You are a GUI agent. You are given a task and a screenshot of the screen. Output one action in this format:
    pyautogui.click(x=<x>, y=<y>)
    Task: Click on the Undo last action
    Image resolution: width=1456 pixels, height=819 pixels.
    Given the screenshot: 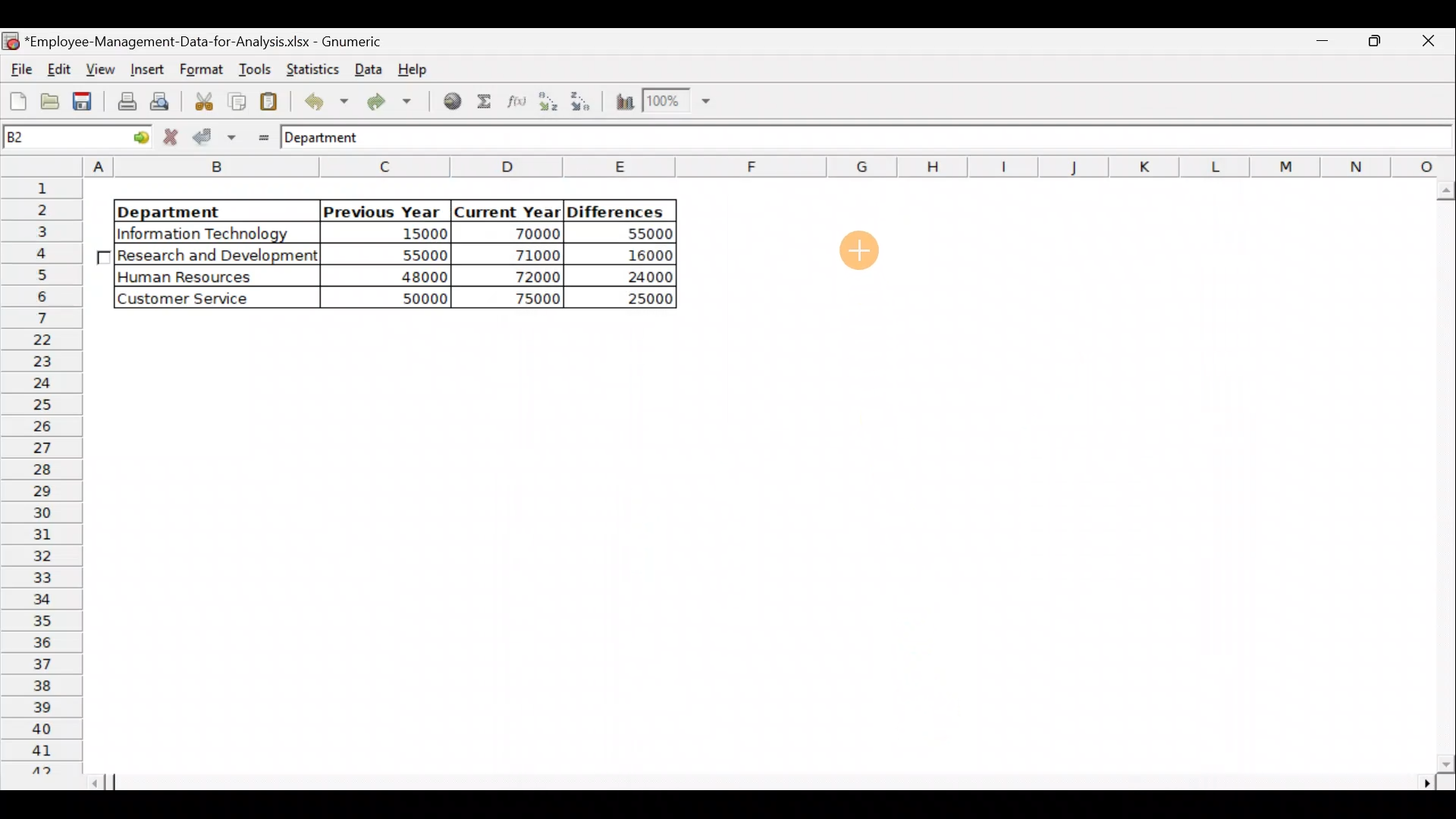 What is the action you would take?
    pyautogui.click(x=324, y=101)
    